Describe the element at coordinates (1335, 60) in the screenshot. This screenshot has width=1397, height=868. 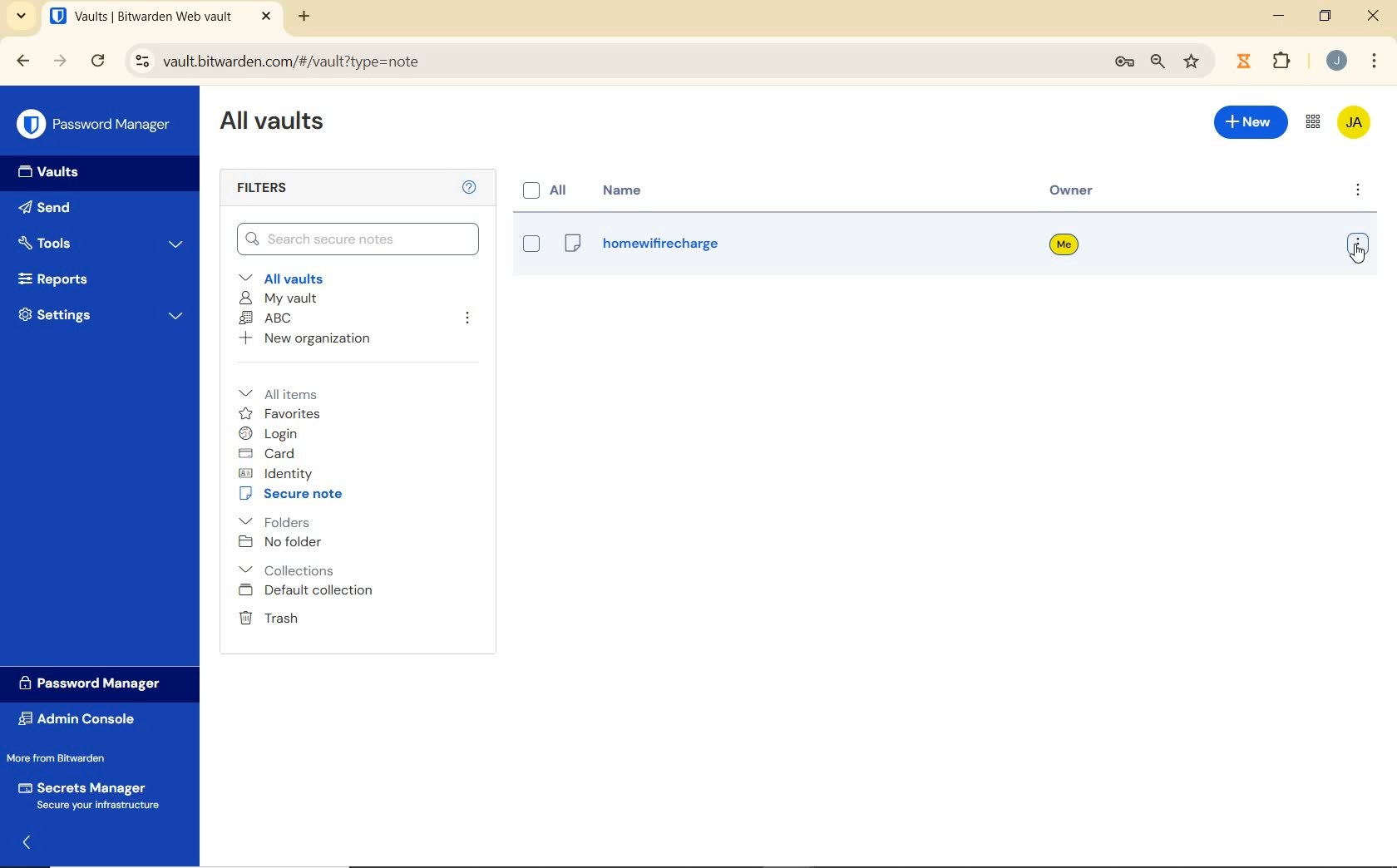
I see `Account` at that location.